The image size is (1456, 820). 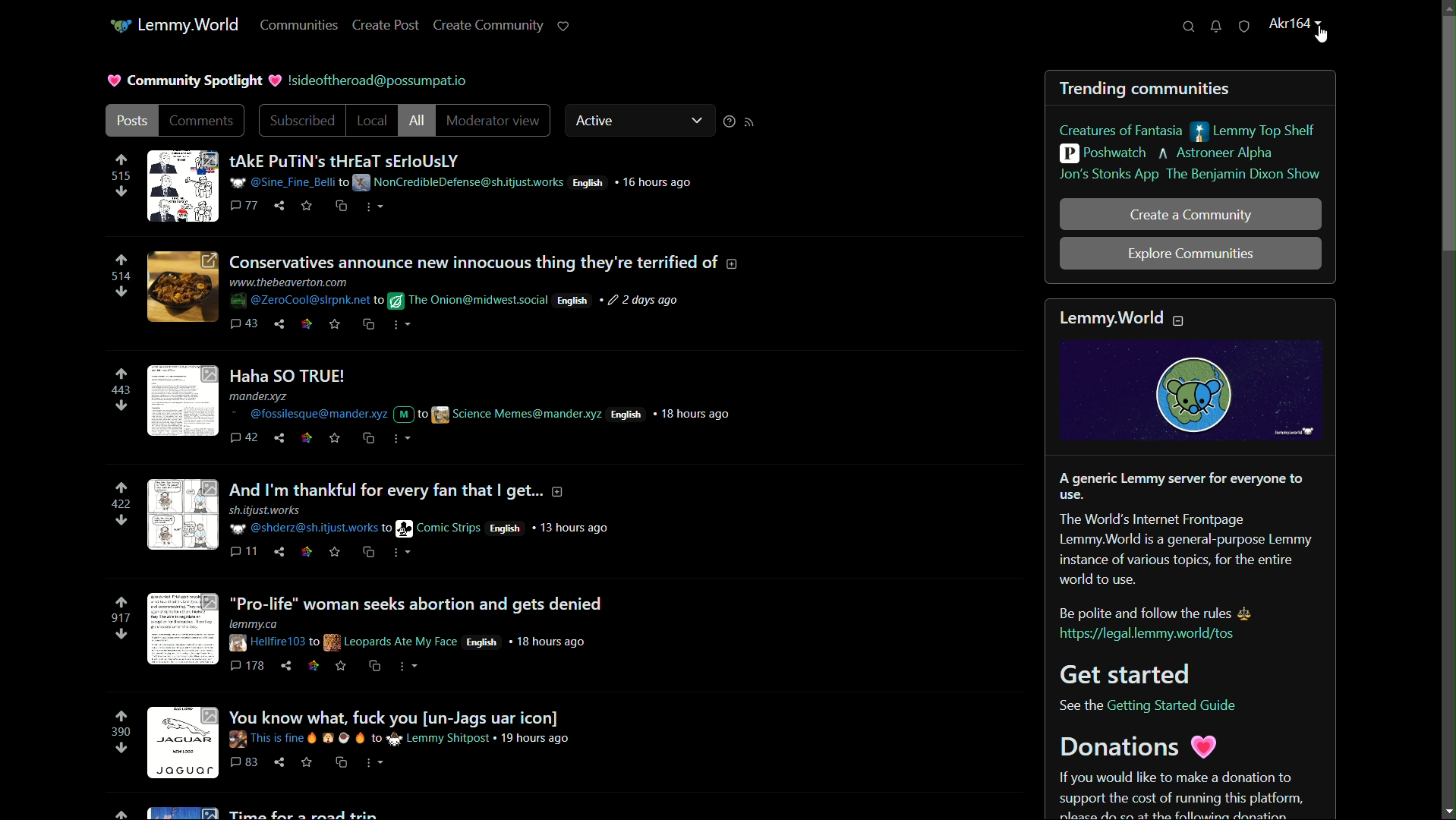 What do you see at coordinates (1189, 254) in the screenshot?
I see `explore communities` at bounding box center [1189, 254].